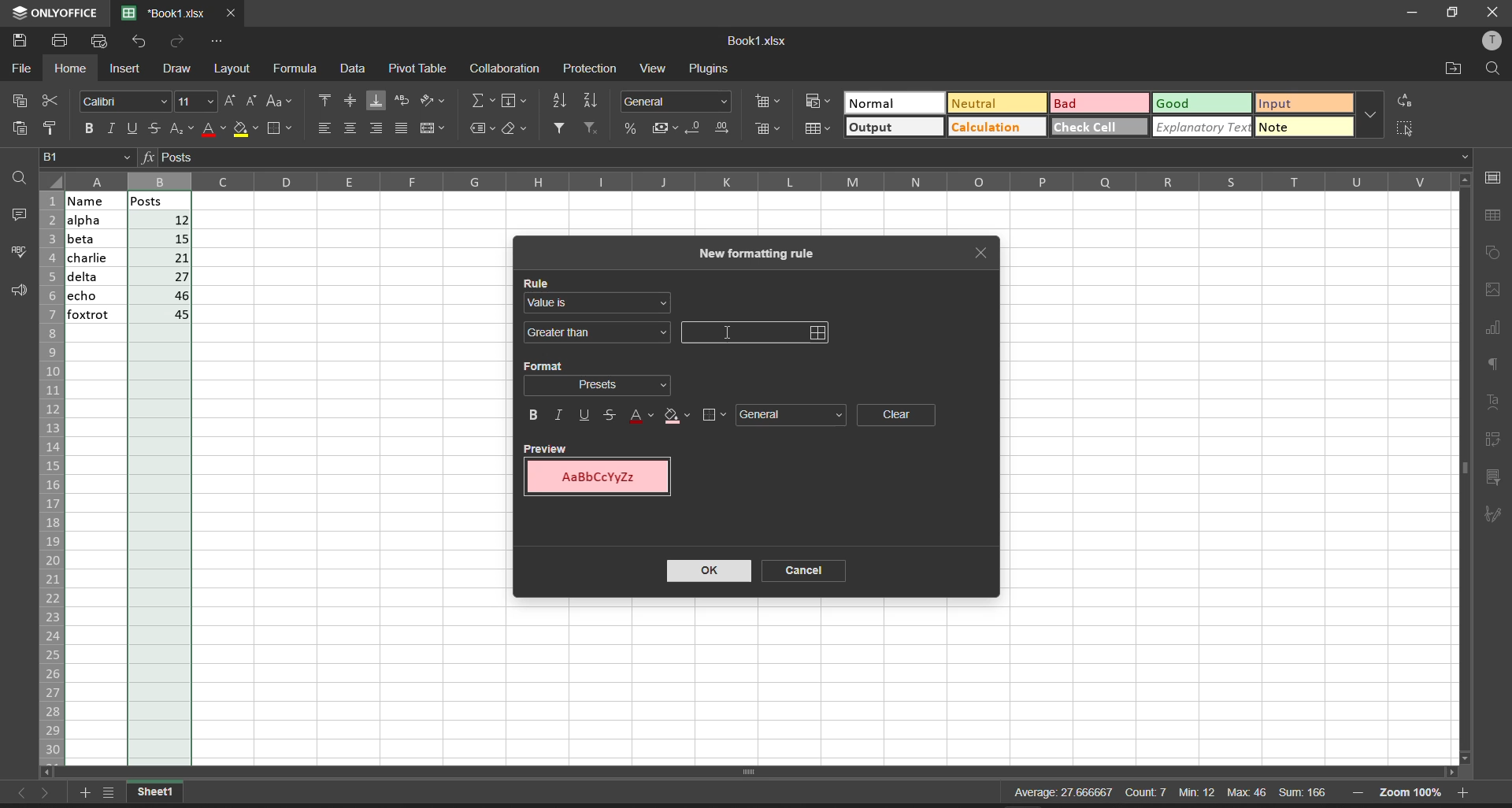 The width and height of the screenshot is (1512, 808). What do you see at coordinates (770, 101) in the screenshot?
I see `insert cells` at bounding box center [770, 101].